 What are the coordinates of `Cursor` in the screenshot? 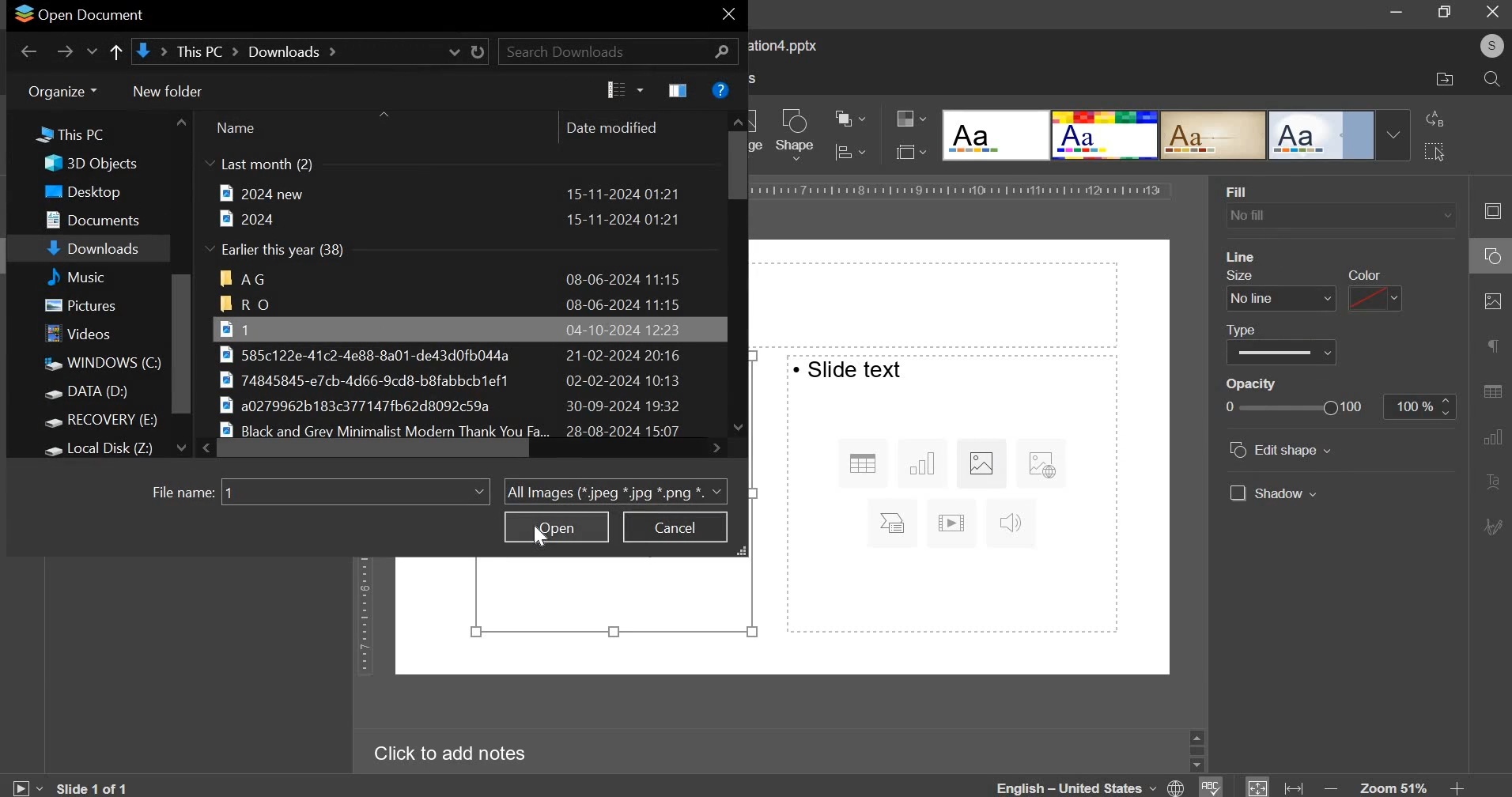 It's located at (542, 538).